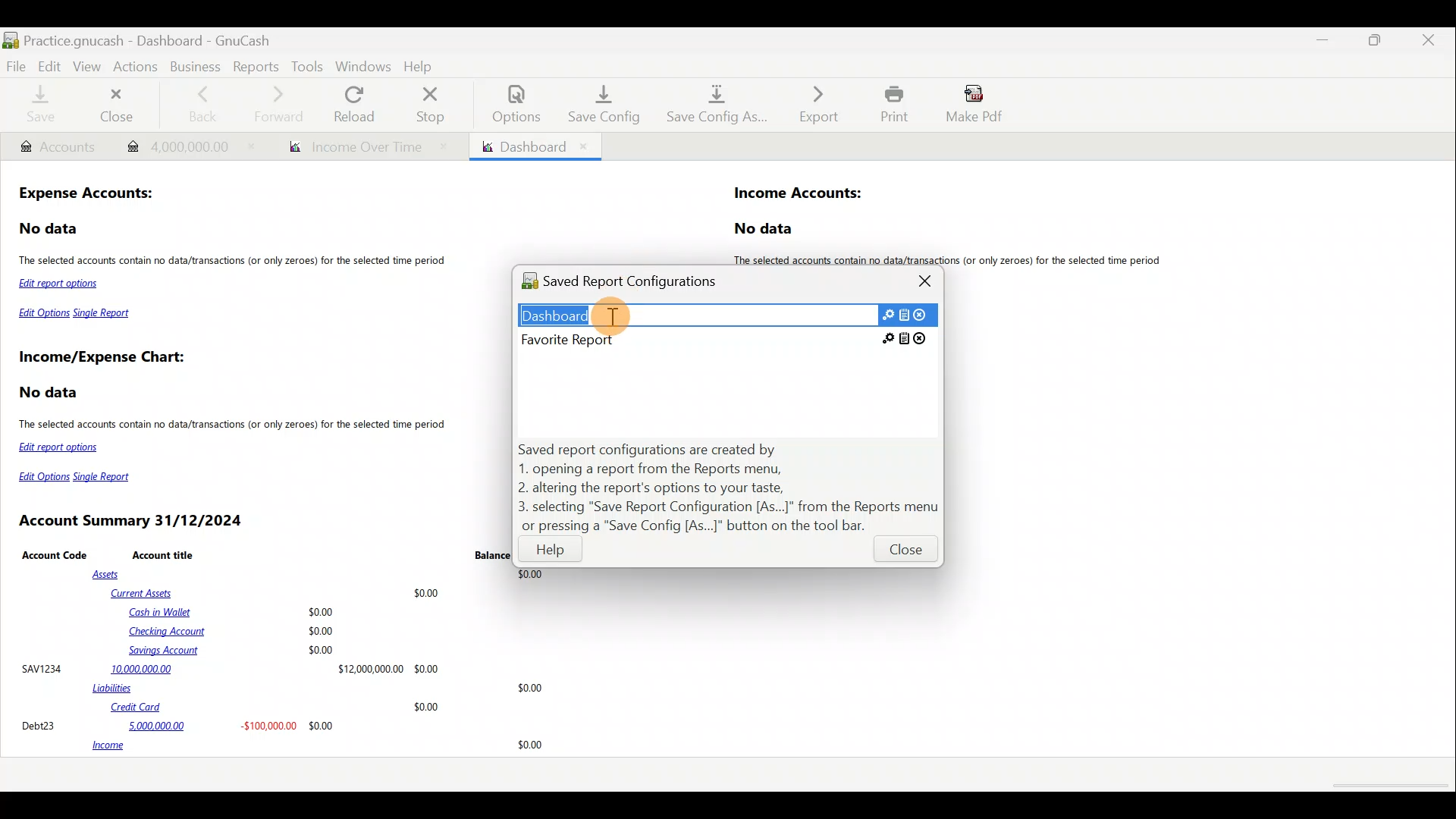 The height and width of the screenshot is (819, 1456). What do you see at coordinates (50, 229) in the screenshot?
I see `No data` at bounding box center [50, 229].